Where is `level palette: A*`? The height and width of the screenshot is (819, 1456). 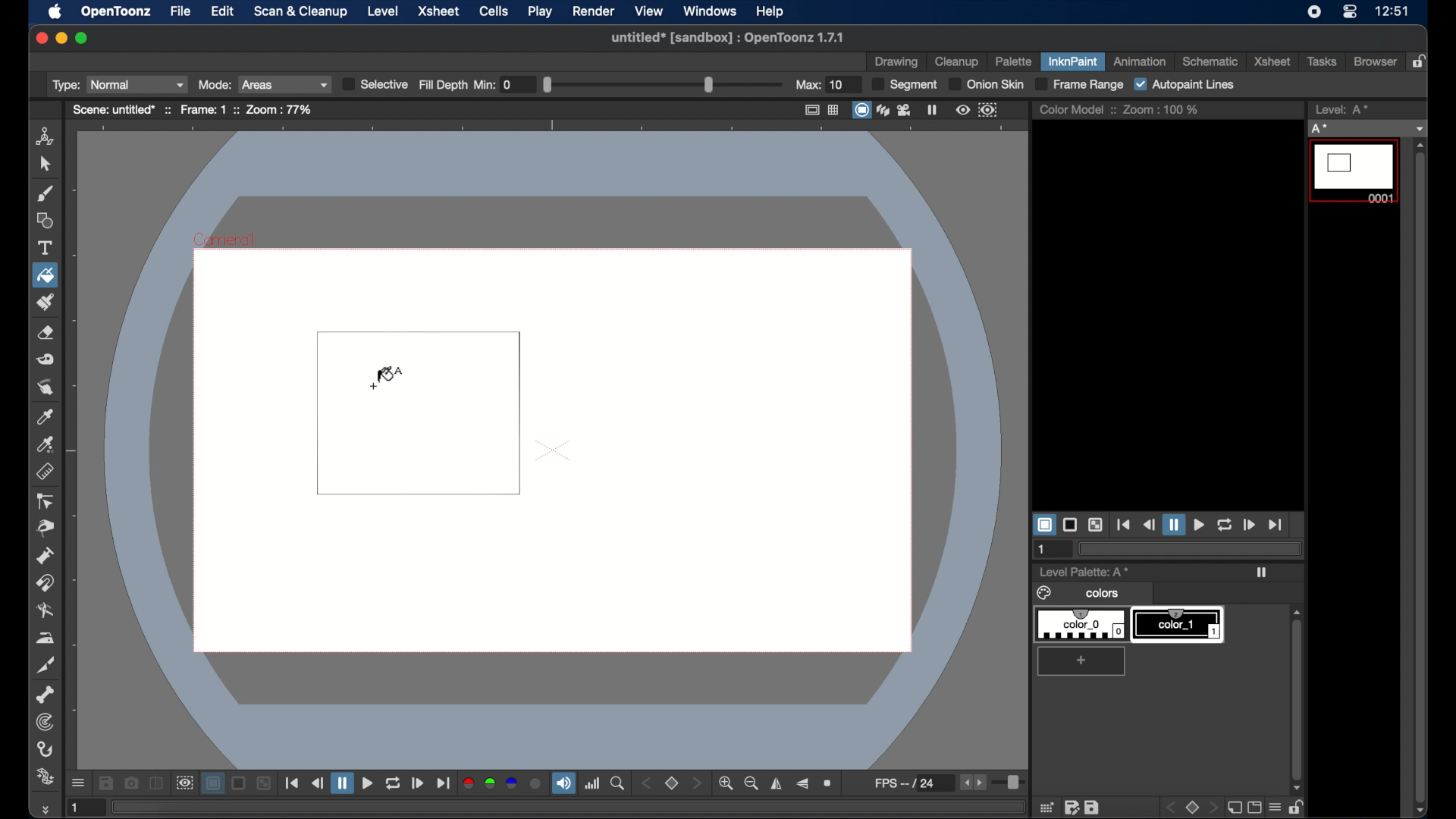
level palette: A* is located at coordinates (1085, 571).